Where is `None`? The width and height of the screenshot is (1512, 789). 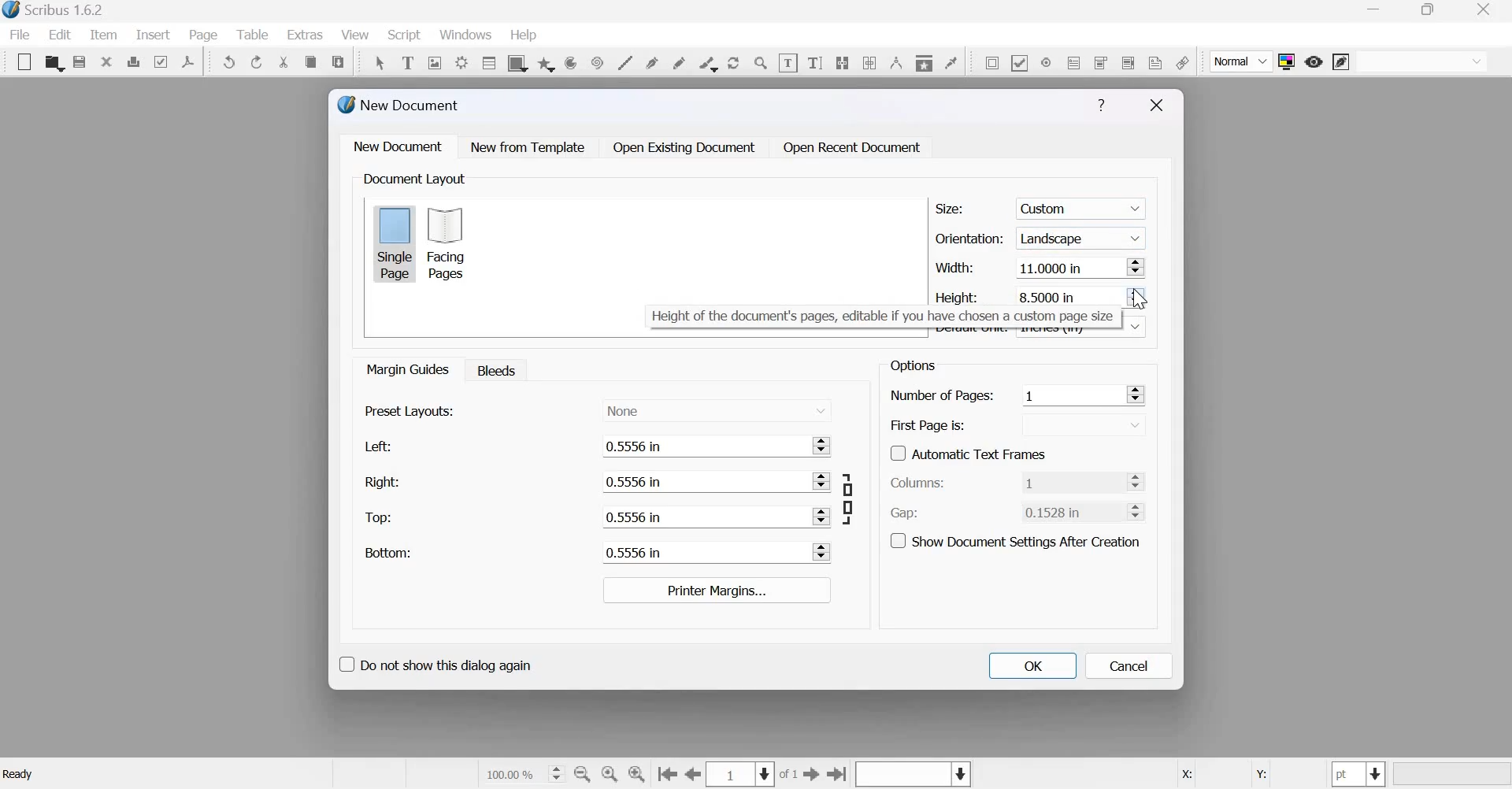
None is located at coordinates (717, 409).